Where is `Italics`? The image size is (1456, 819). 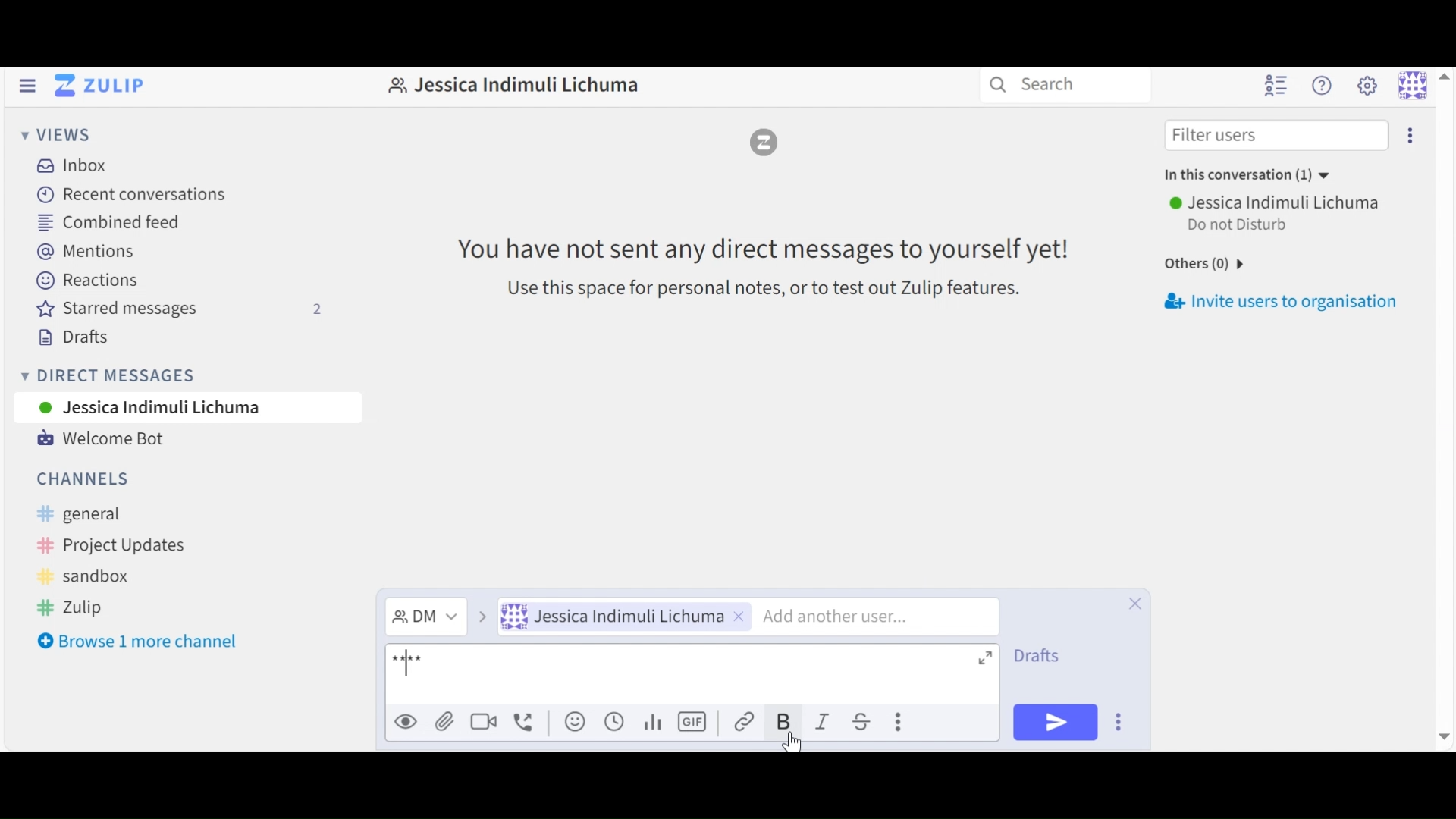 Italics is located at coordinates (827, 721).